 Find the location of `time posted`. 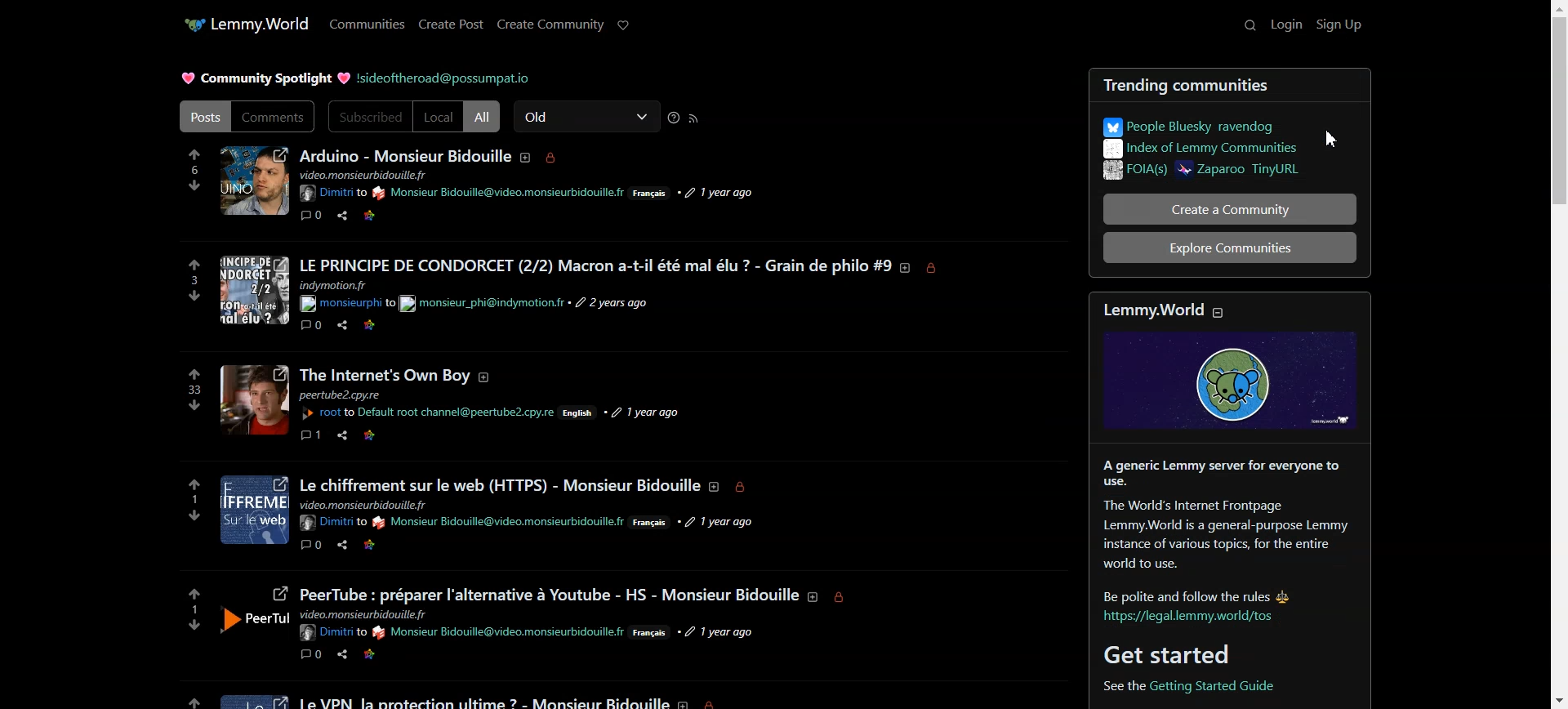

time posted is located at coordinates (720, 192).